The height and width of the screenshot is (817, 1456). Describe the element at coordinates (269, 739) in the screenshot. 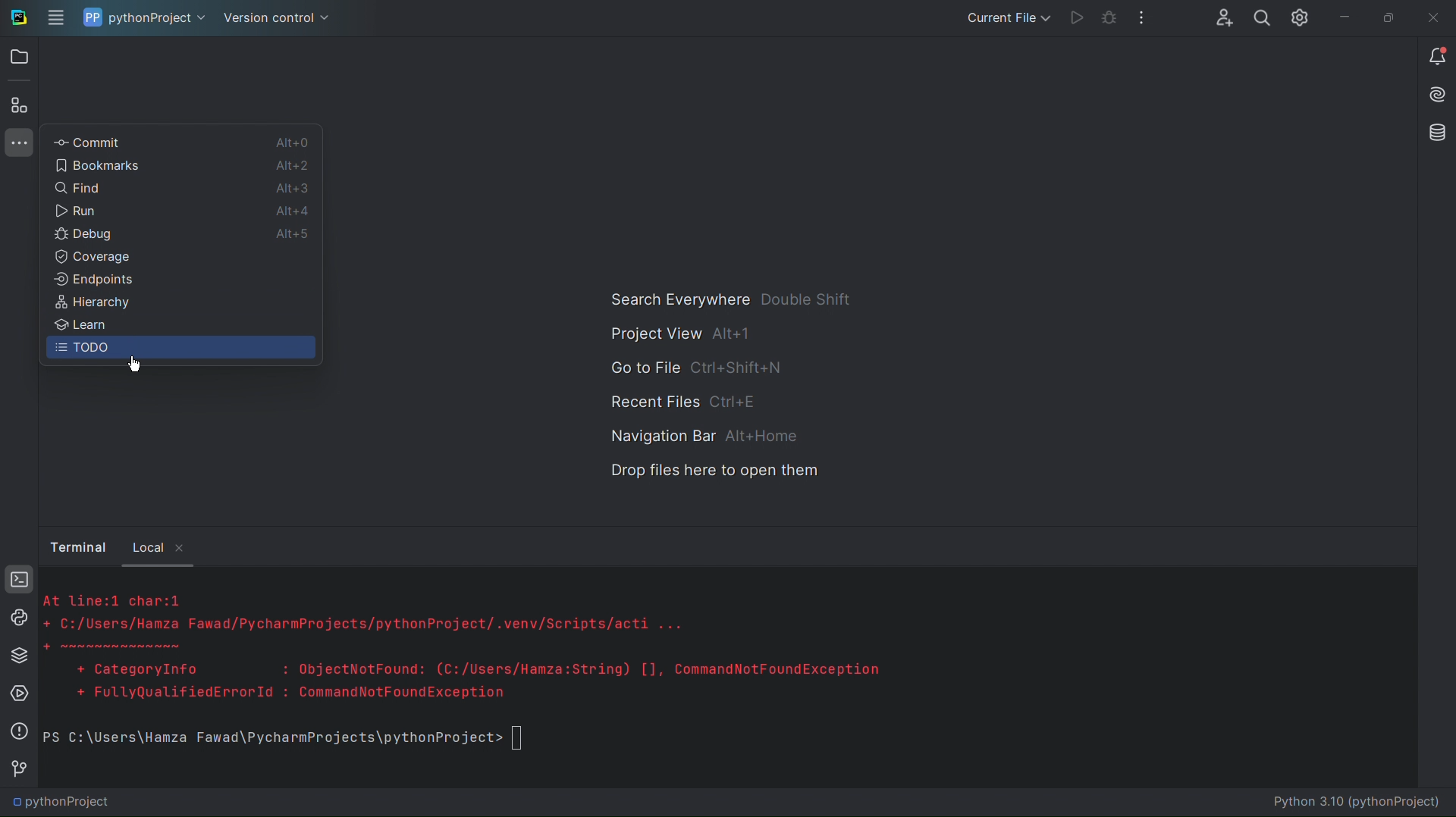

I see `PS C:\Users\Hamza Fawad\PycharmProjects\pythonProject>` at that location.